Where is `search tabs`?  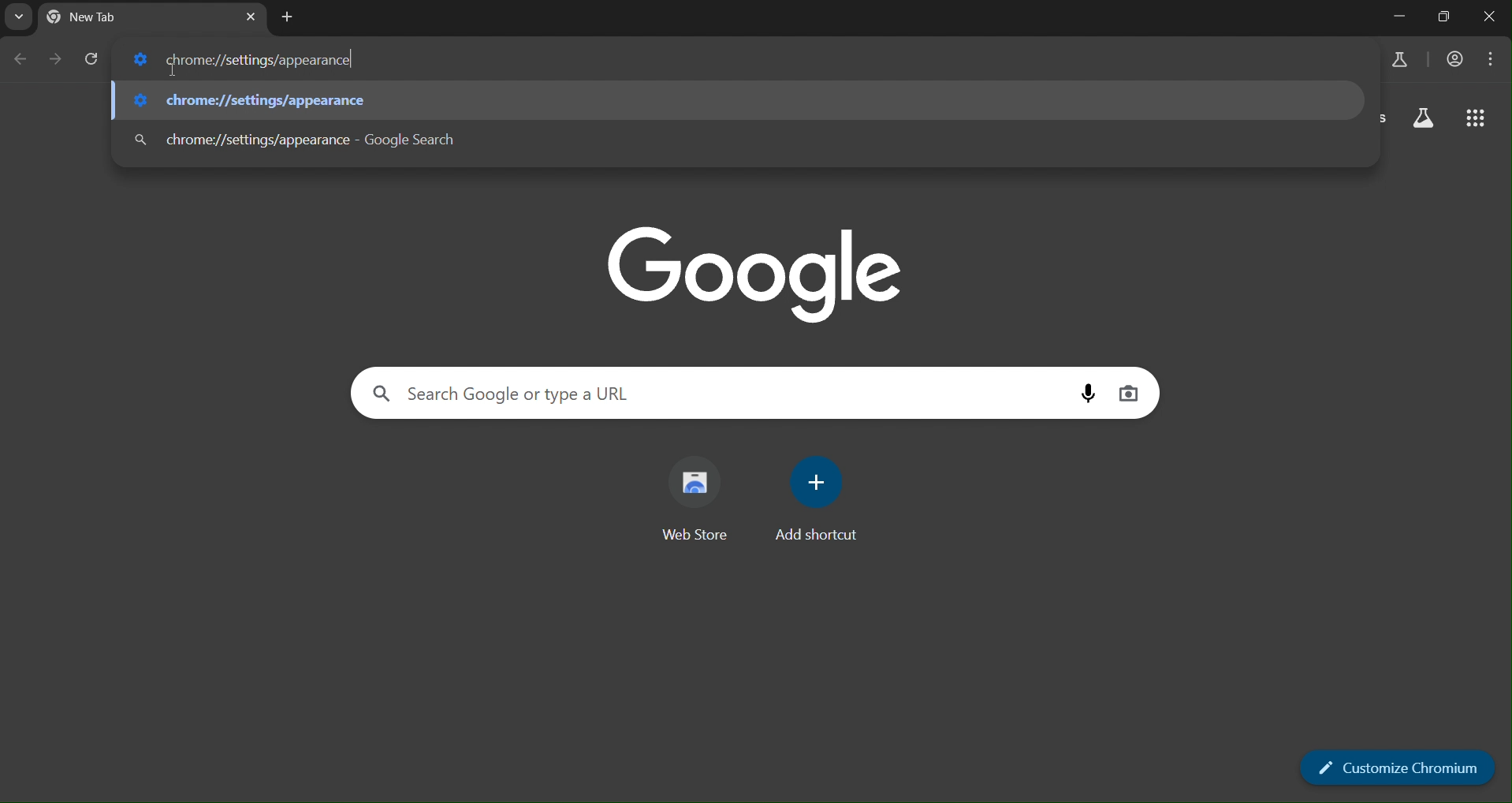 search tabs is located at coordinates (17, 17).